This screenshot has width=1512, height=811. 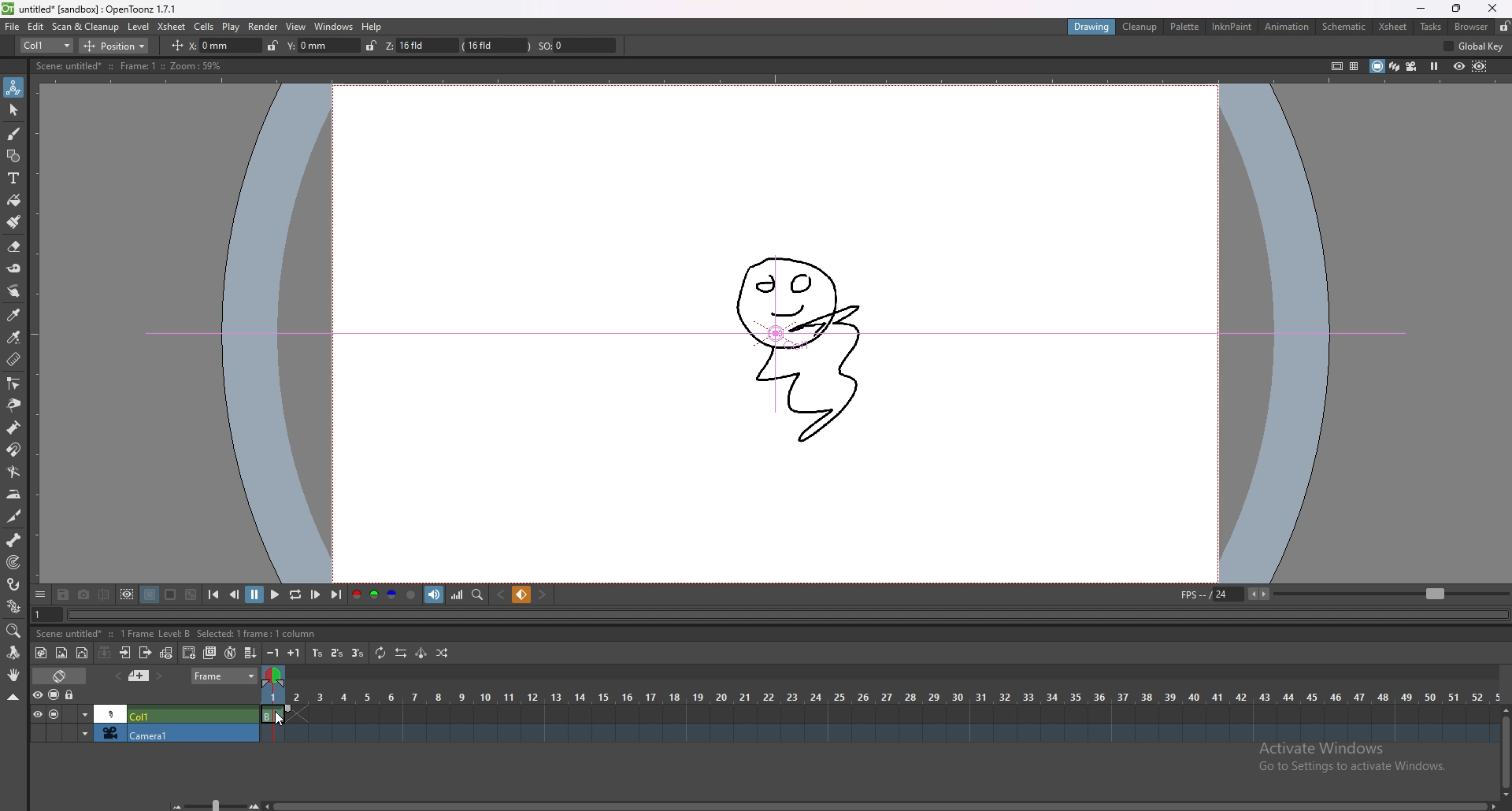 I want to click on collapse, so click(x=13, y=697).